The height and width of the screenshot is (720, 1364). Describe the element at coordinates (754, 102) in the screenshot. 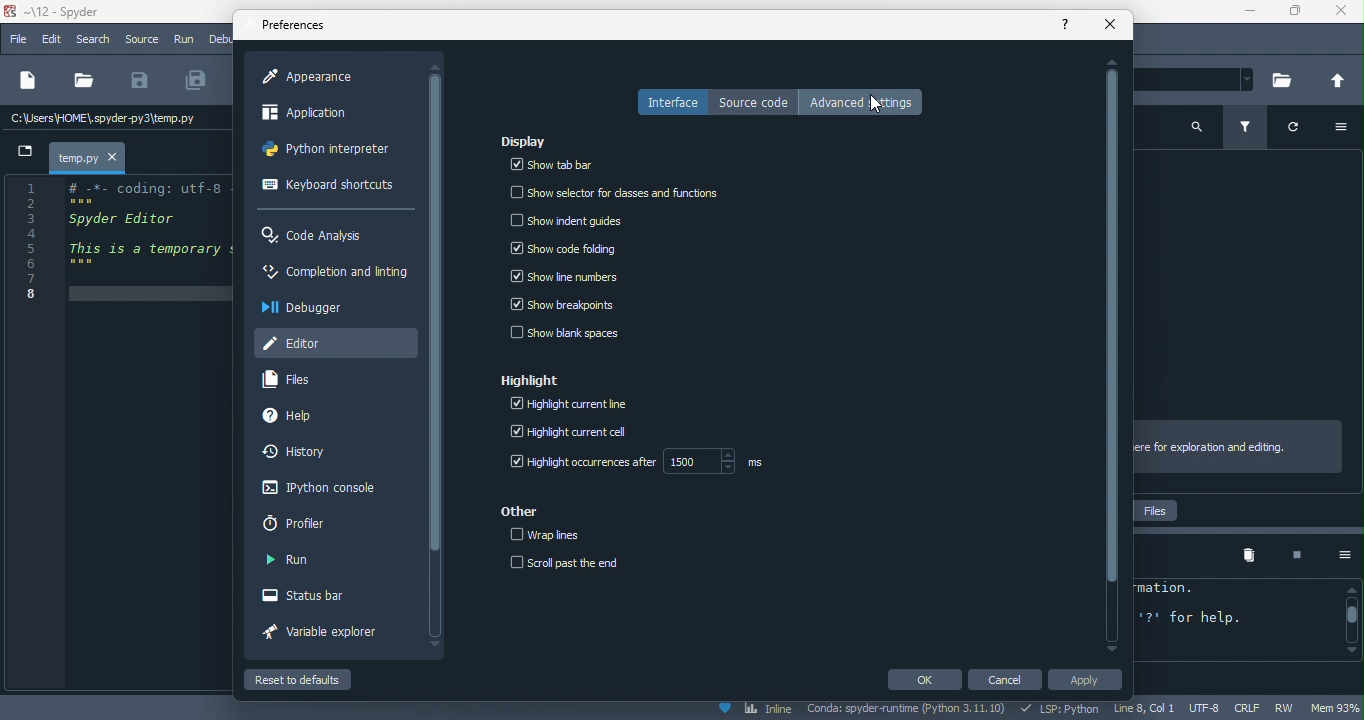

I see `source code` at that location.